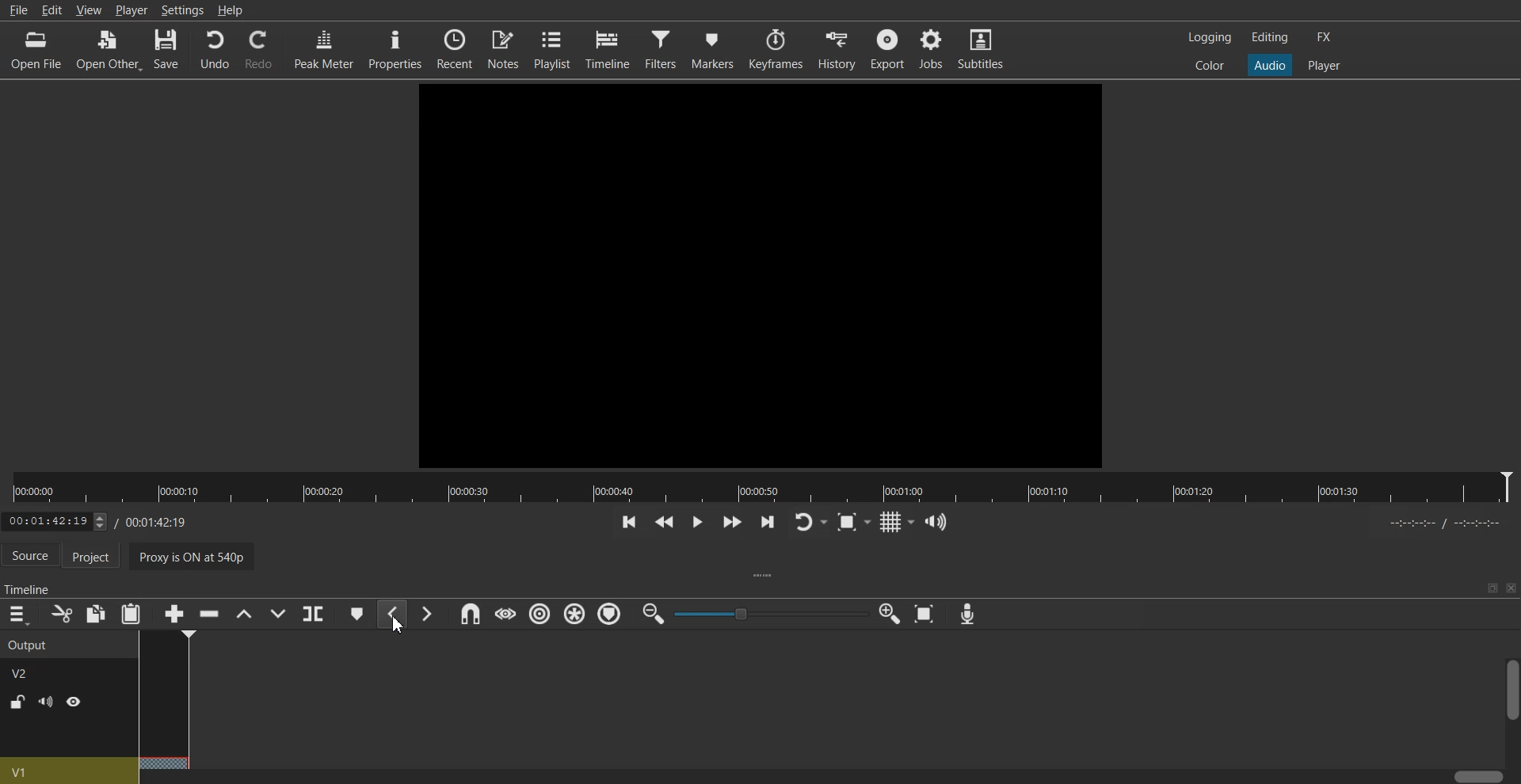 This screenshot has height=784, width=1521. What do you see at coordinates (74, 702) in the screenshot?
I see `Hide` at bounding box center [74, 702].